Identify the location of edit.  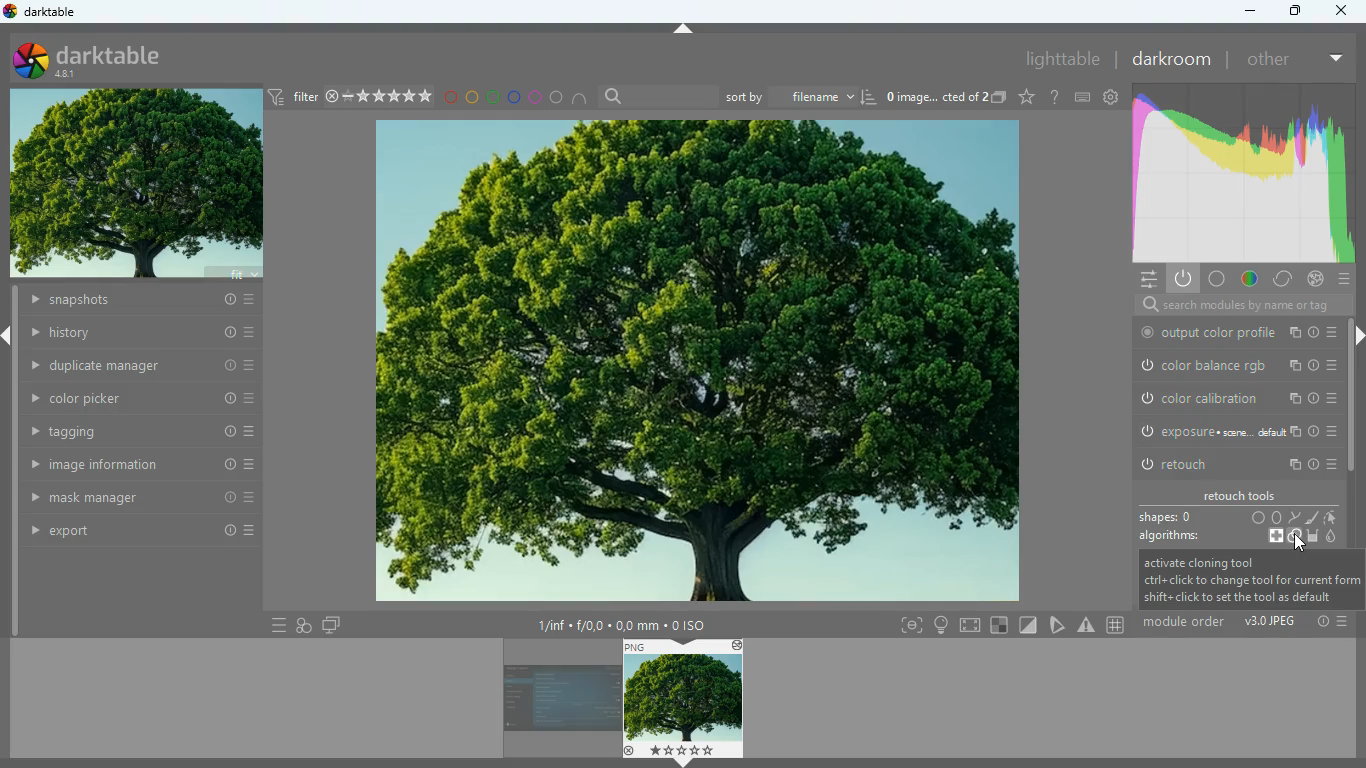
(1058, 625).